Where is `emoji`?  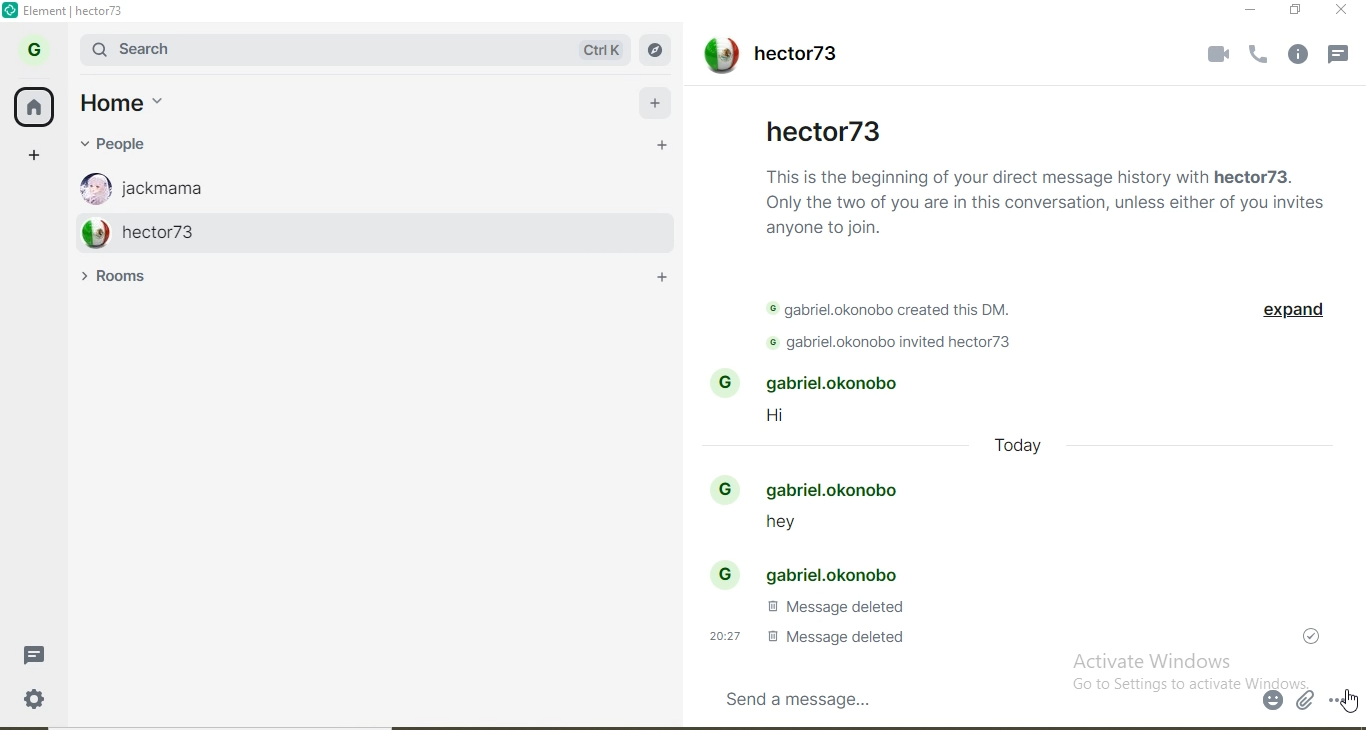
emoji is located at coordinates (1274, 701).